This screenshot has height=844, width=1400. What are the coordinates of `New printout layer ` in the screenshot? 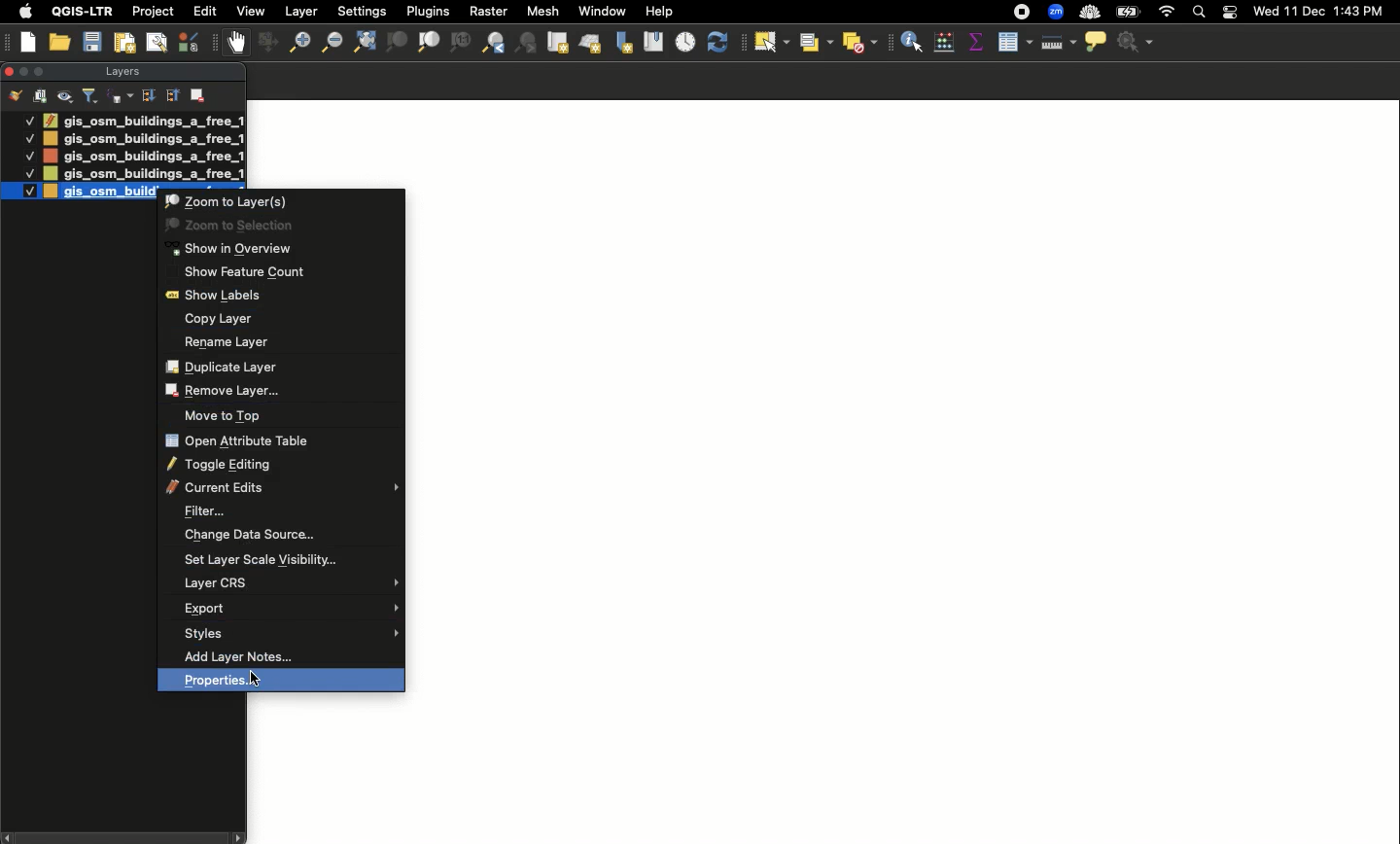 It's located at (124, 43).